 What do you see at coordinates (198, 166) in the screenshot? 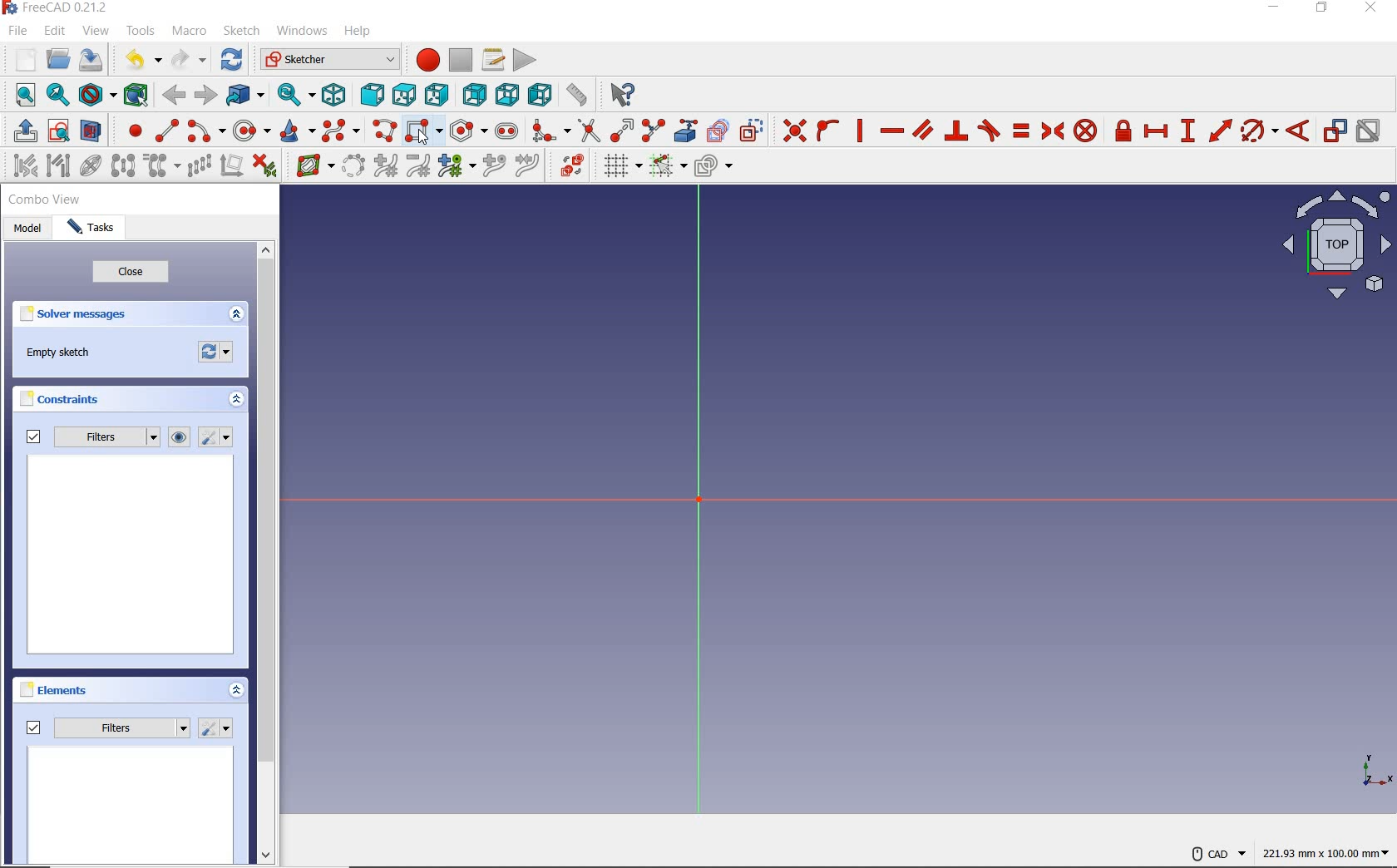
I see `rectangular array` at bounding box center [198, 166].